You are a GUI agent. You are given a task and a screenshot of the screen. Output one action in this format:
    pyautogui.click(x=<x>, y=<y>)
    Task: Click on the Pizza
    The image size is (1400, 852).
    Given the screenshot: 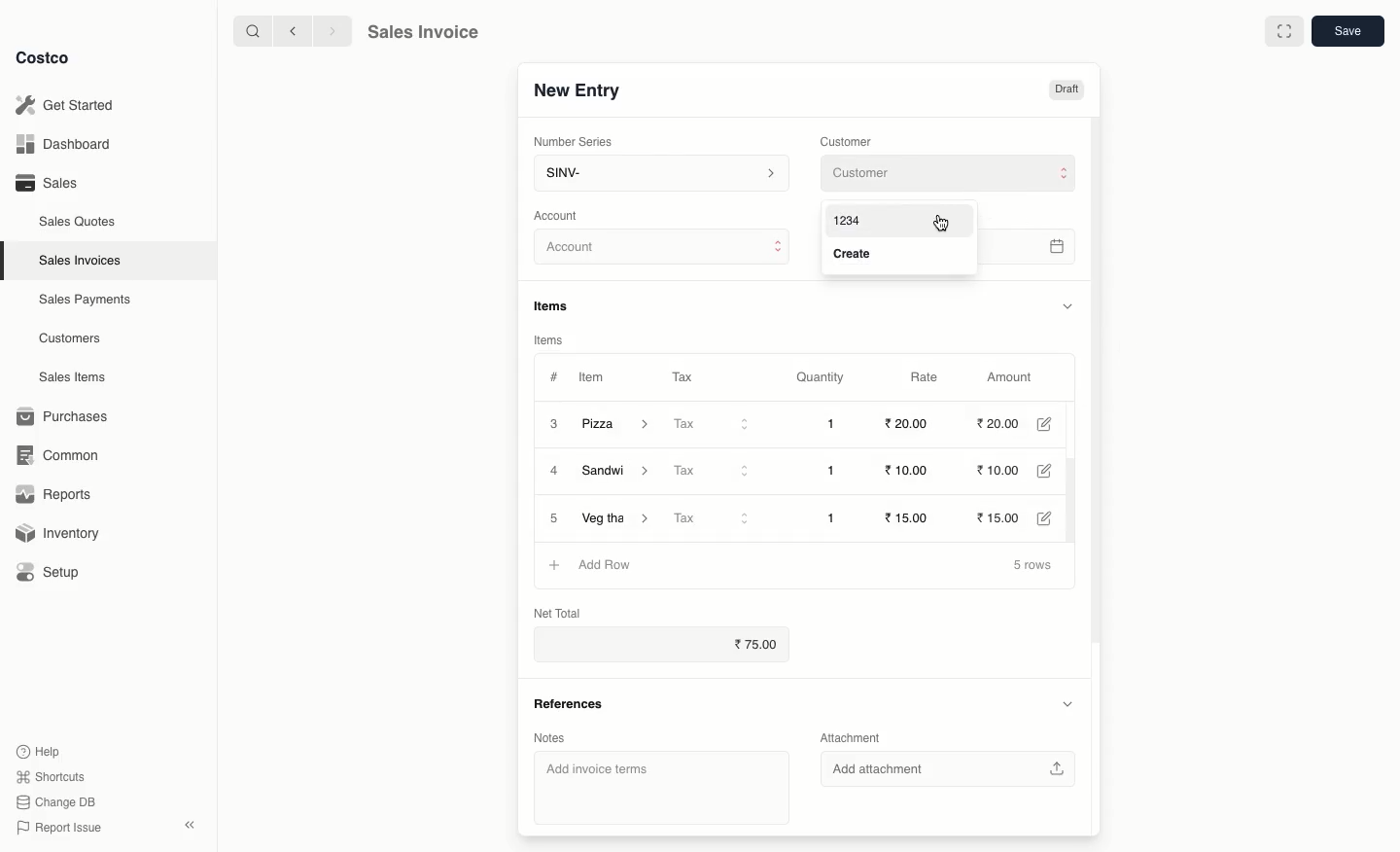 What is the action you would take?
    pyautogui.click(x=617, y=424)
    